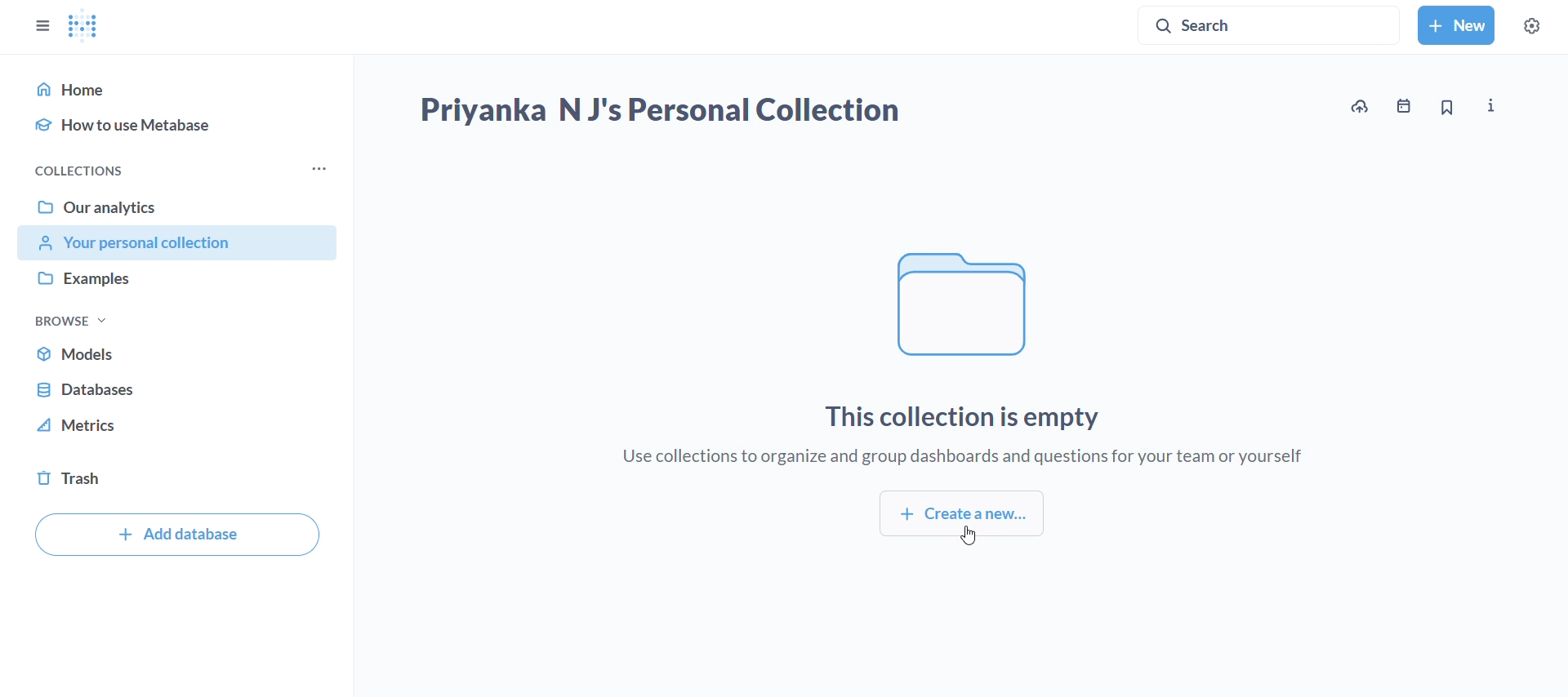  Describe the element at coordinates (176, 88) in the screenshot. I see `home` at that location.